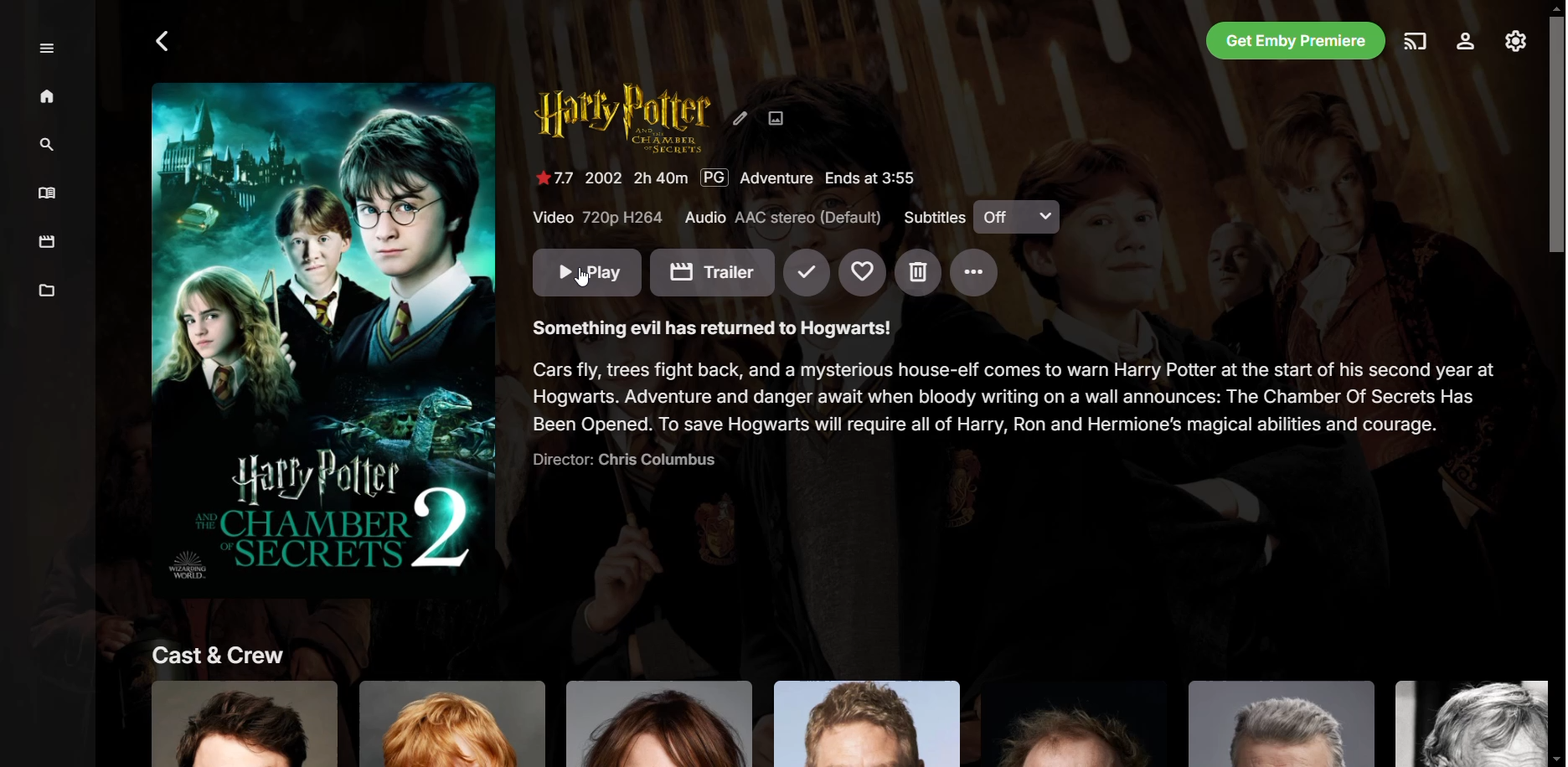 This screenshot has height=767, width=1568. What do you see at coordinates (49, 292) in the screenshot?
I see `Metadata Manager` at bounding box center [49, 292].